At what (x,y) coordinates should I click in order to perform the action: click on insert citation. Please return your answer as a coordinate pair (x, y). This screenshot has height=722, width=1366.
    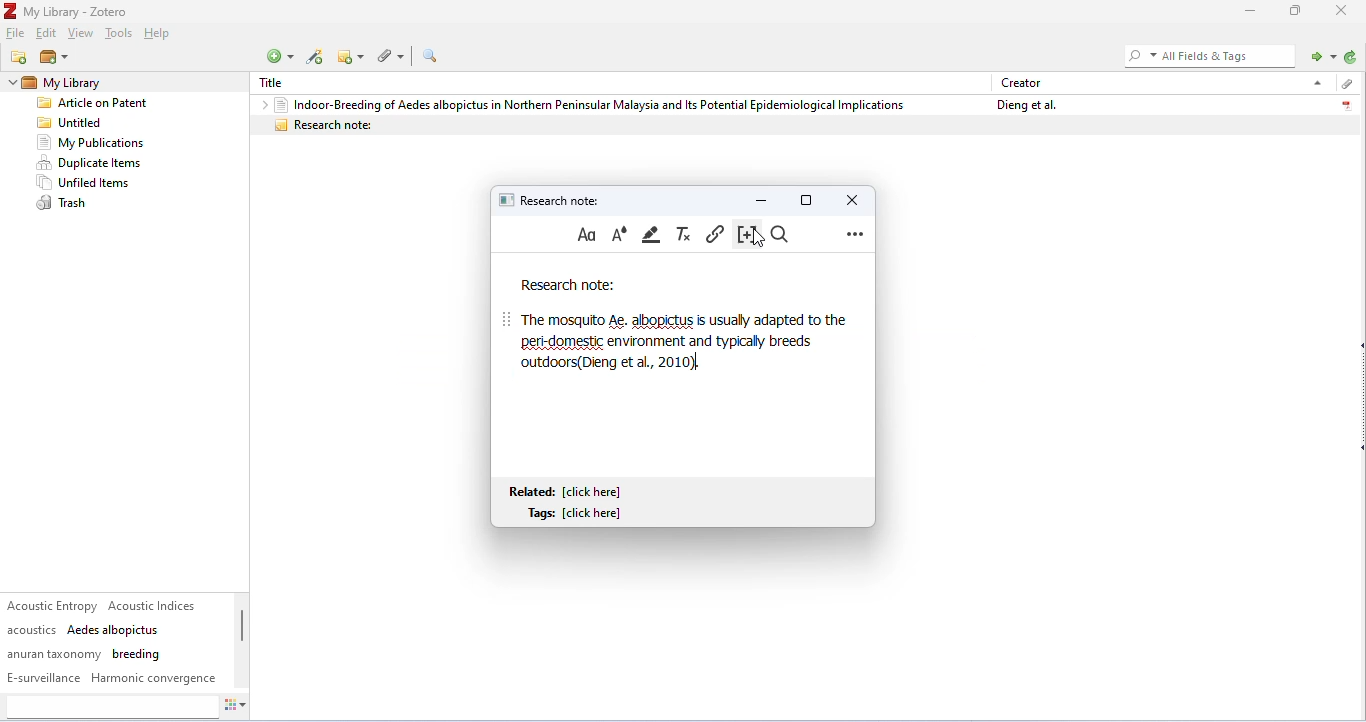
    Looking at the image, I should click on (744, 235).